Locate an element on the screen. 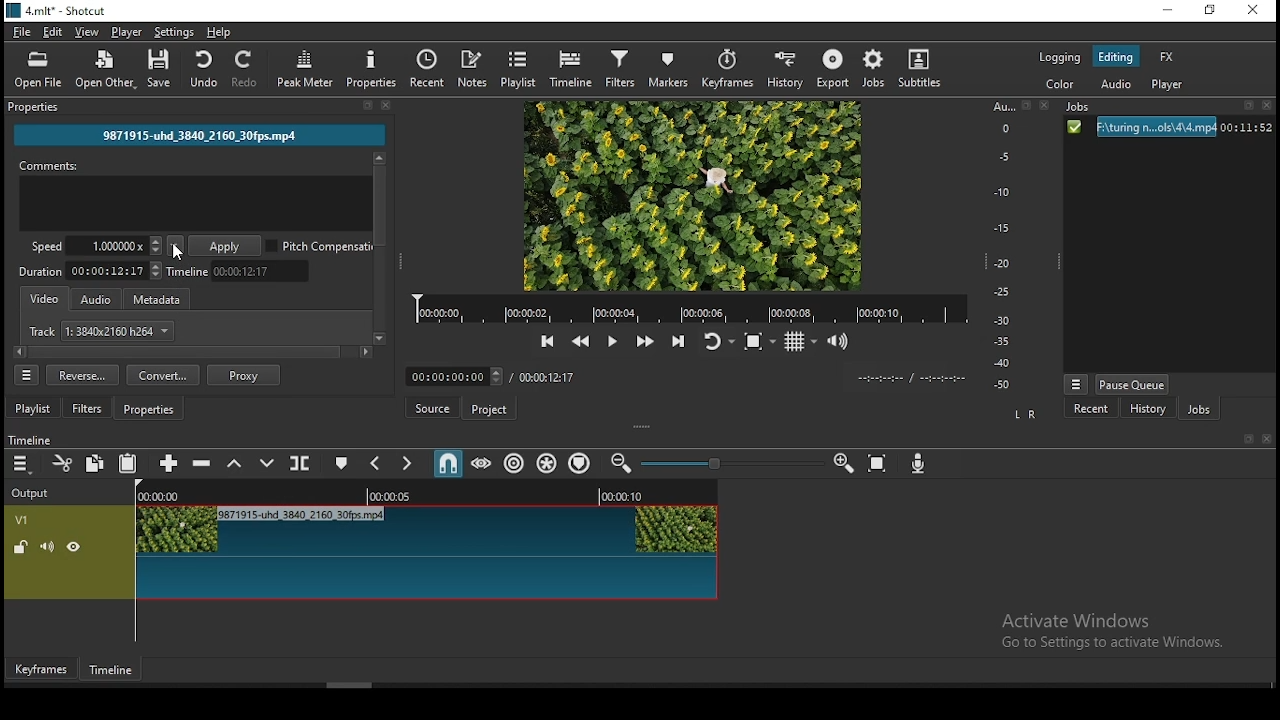 This screenshot has width=1280, height=720. properties is located at coordinates (374, 68).